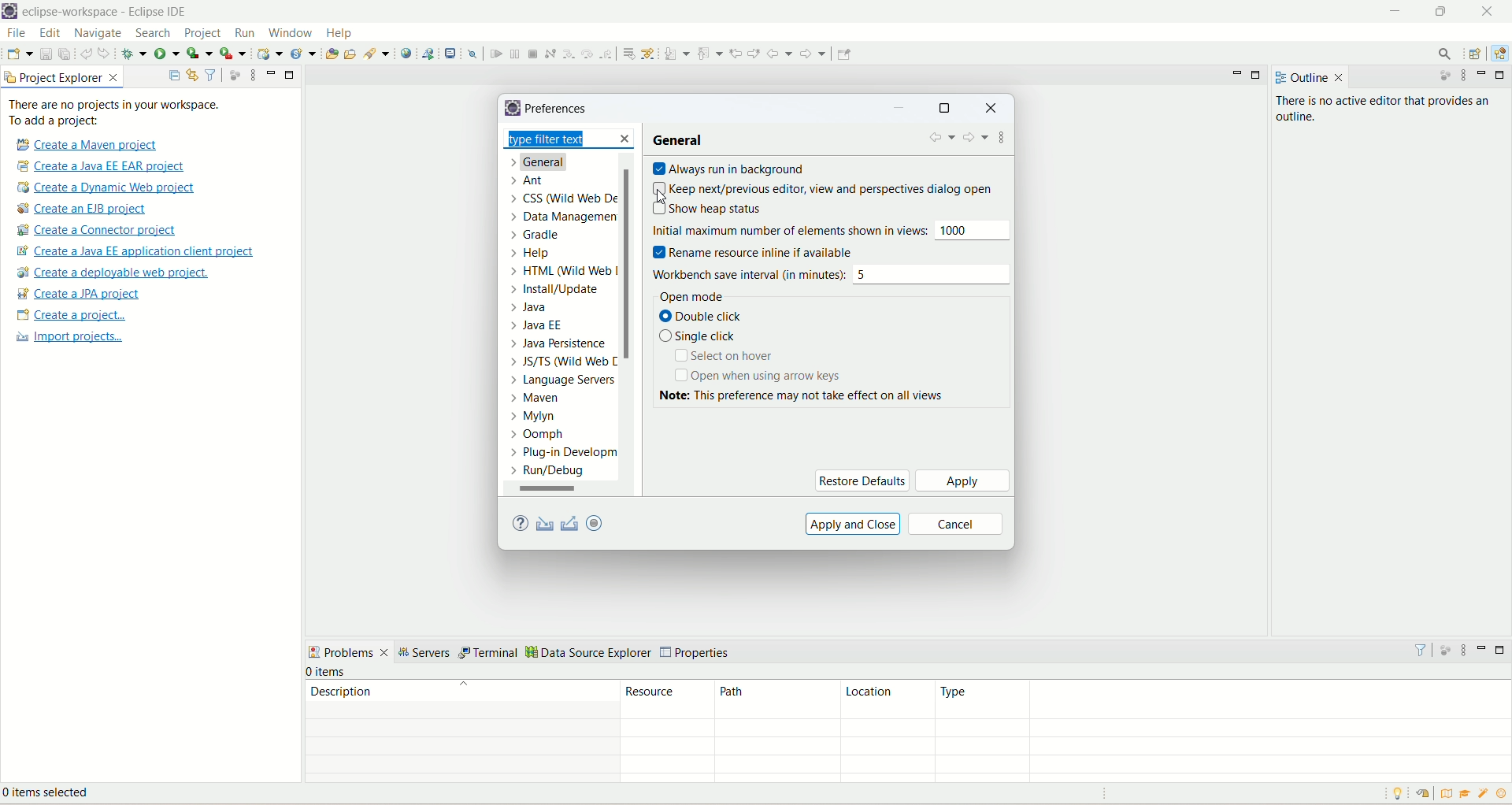 This screenshot has width=1512, height=805. What do you see at coordinates (535, 309) in the screenshot?
I see `Java` at bounding box center [535, 309].